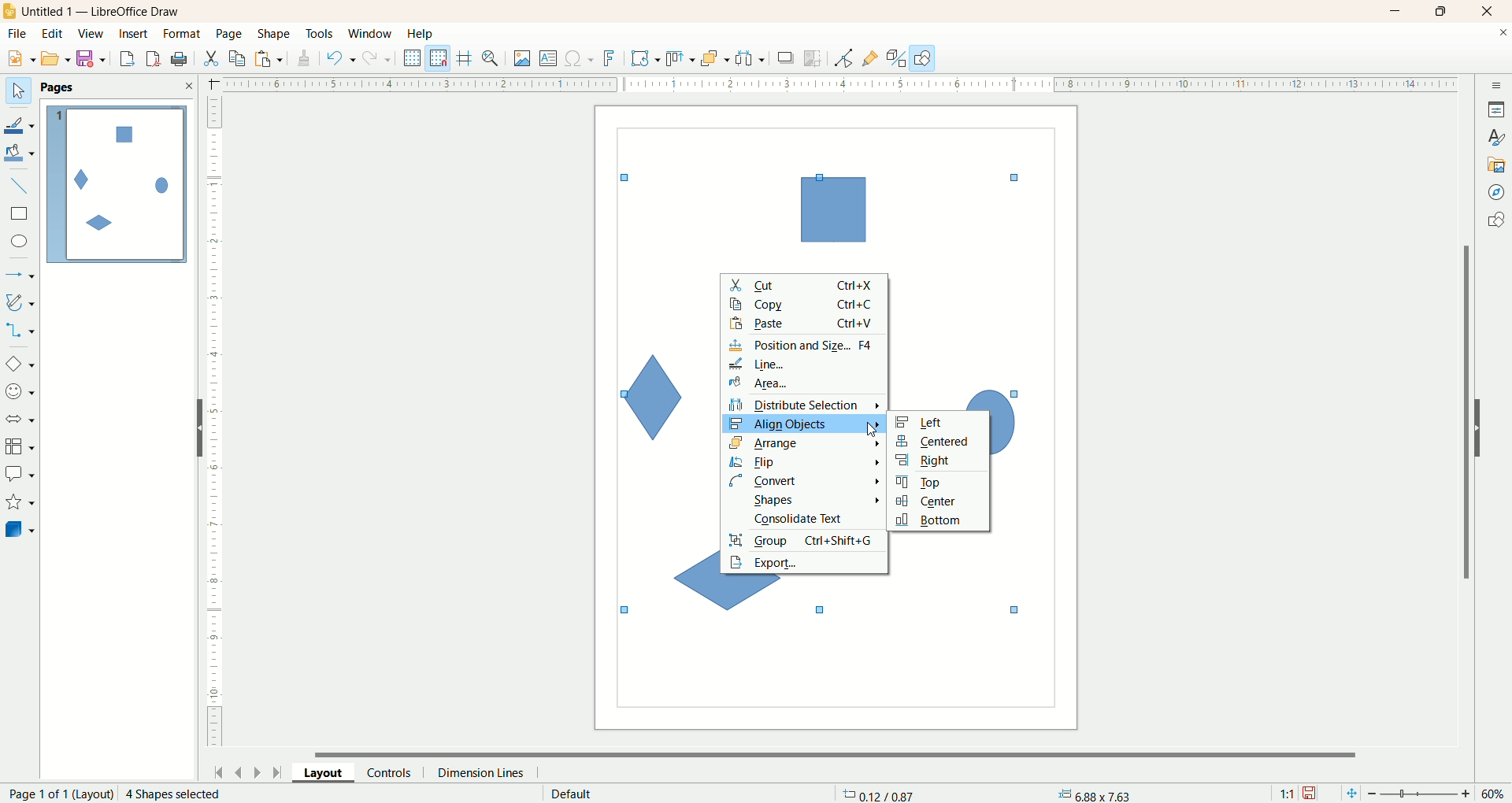  What do you see at coordinates (1311, 794) in the screenshot?
I see `save` at bounding box center [1311, 794].